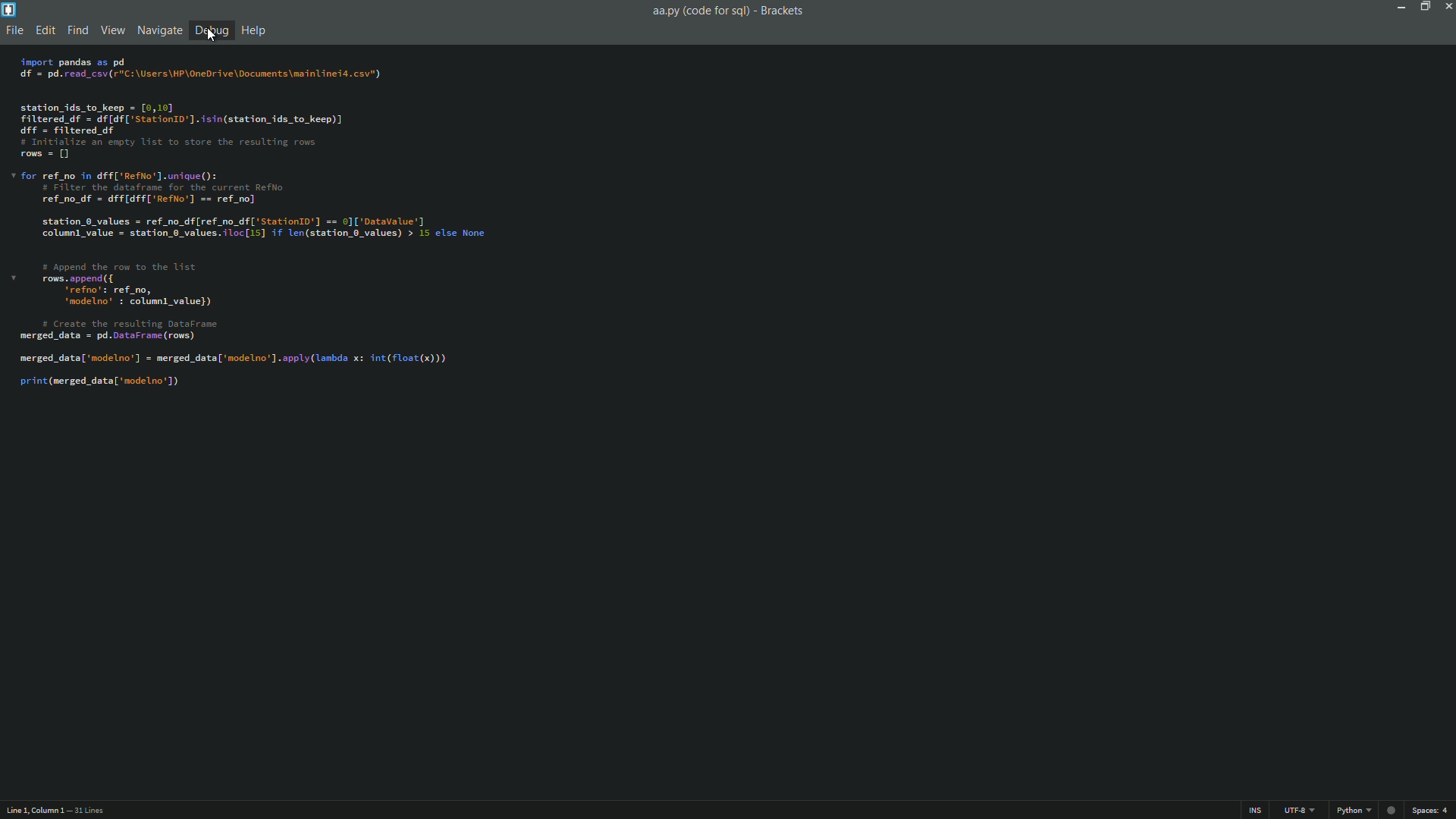  I want to click on aa.py(code for sql), so click(699, 10).